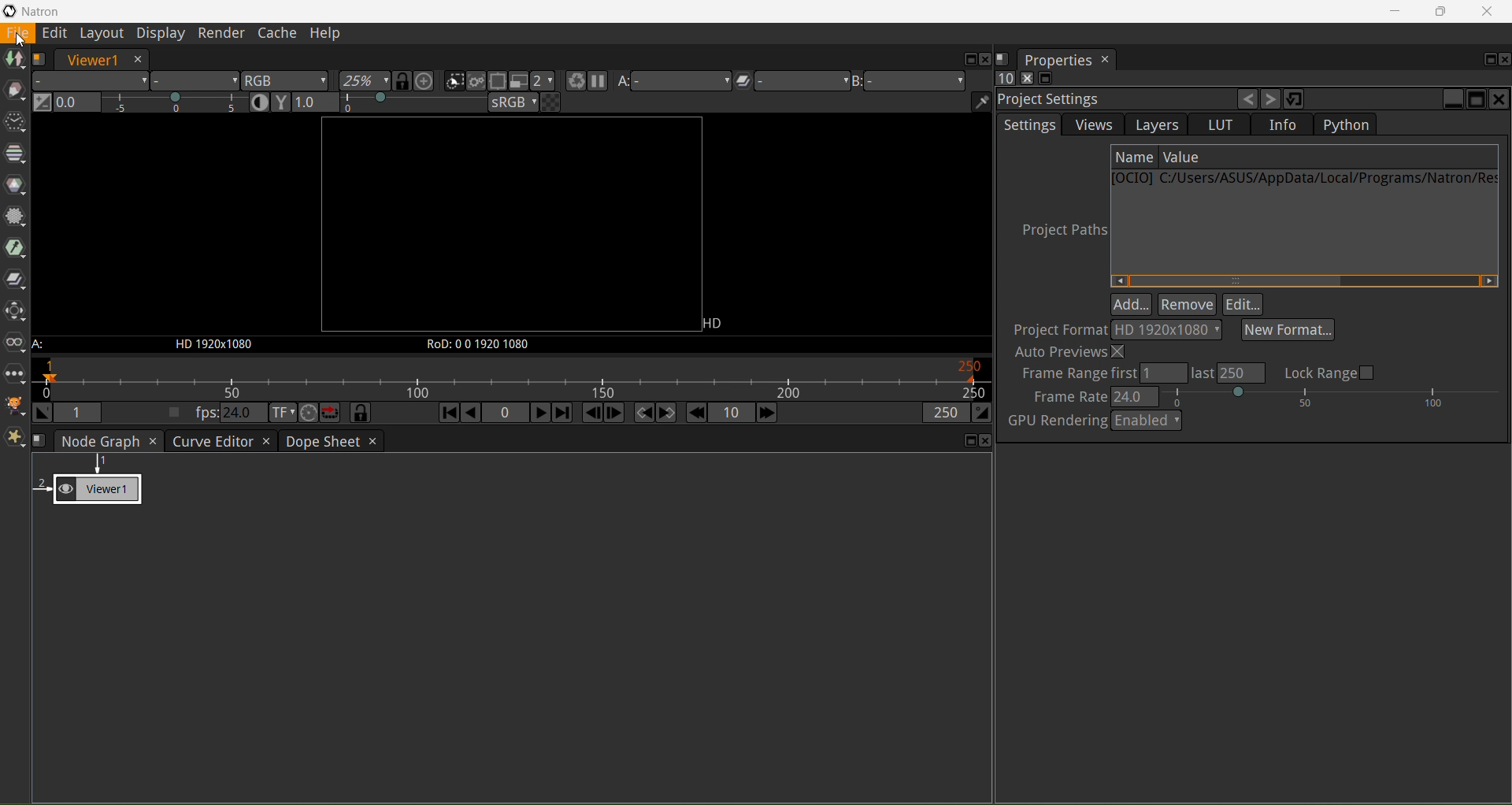 The width and height of the screenshot is (1512, 805). Describe the element at coordinates (91, 82) in the screenshot. I see `Layer` at that location.